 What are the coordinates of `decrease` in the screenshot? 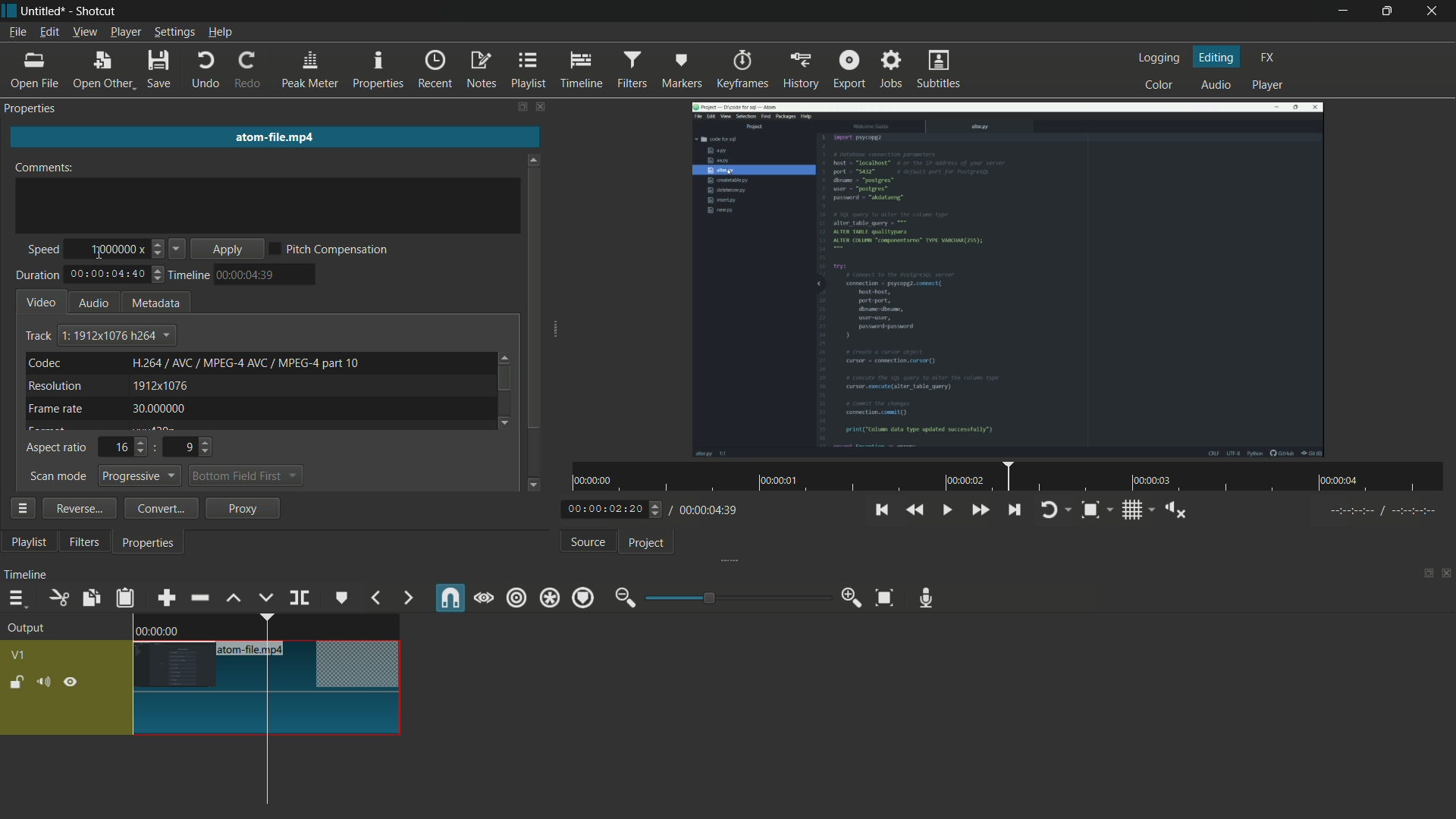 It's located at (158, 256).